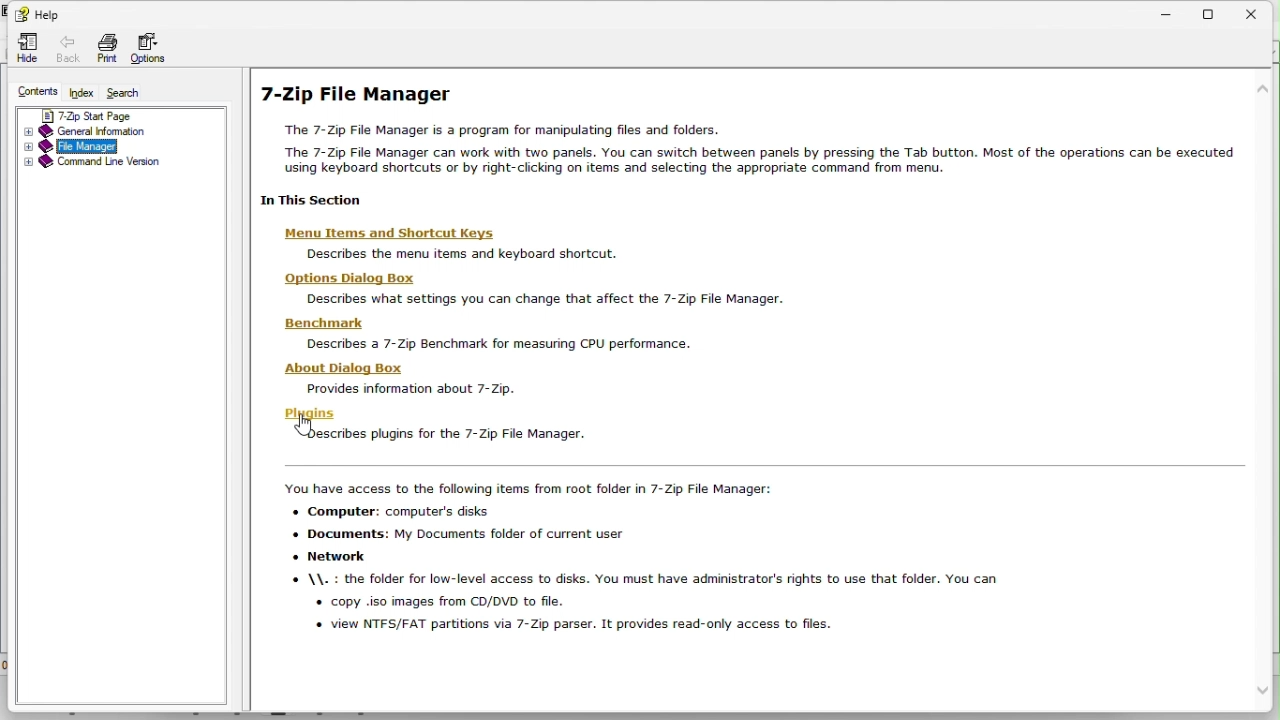  What do you see at coordinates (26, 48) in the screenshot?
I see `Hide` at bounding box center [26, 48].